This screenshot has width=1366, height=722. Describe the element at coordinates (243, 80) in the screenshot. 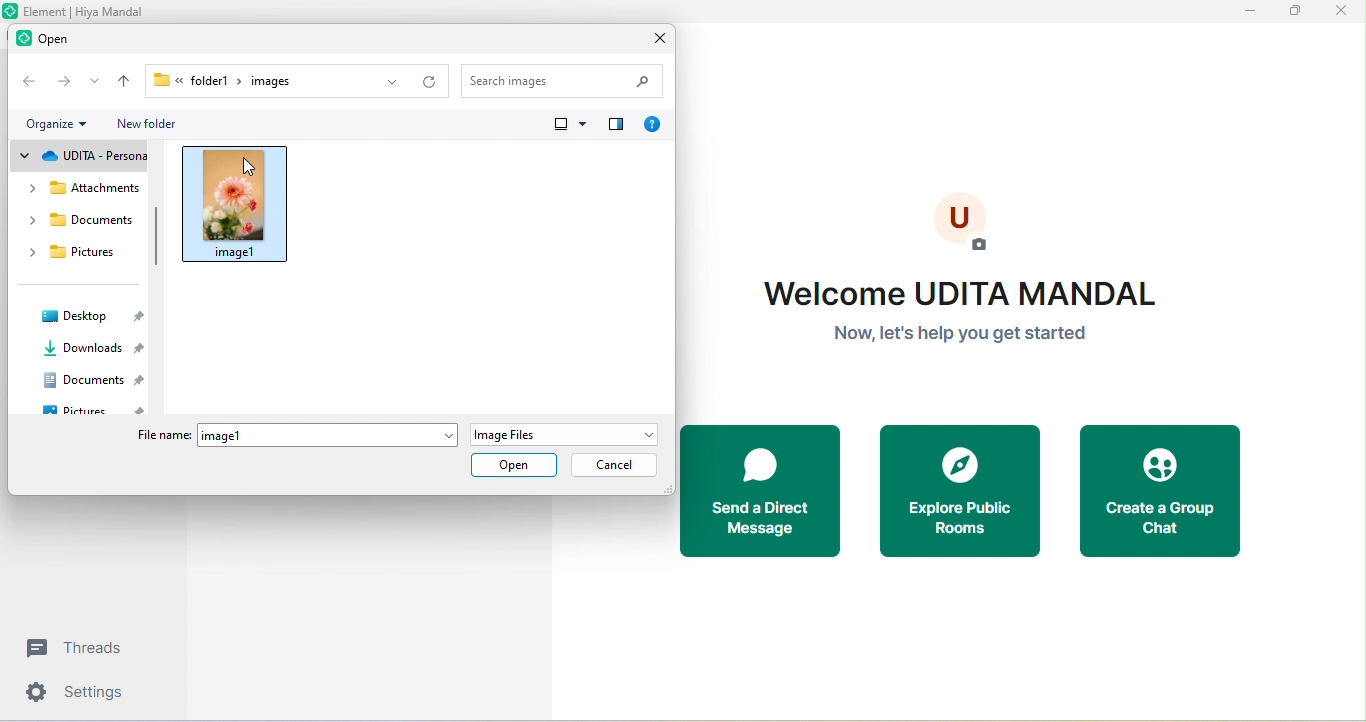

I see `folder 1>images` at that location.